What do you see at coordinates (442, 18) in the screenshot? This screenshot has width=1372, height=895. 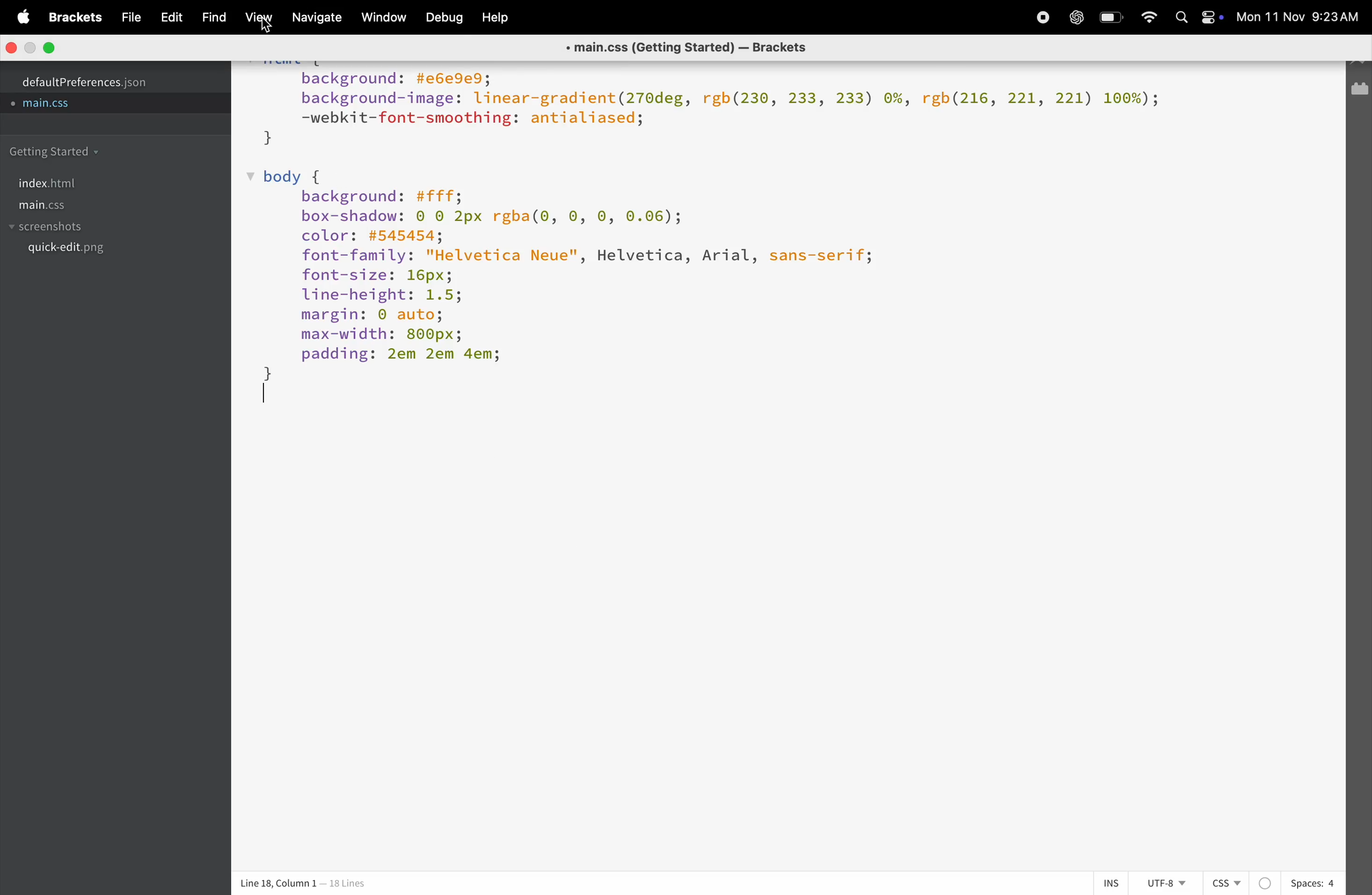 I see `debug` at bounding box center [442, 18].